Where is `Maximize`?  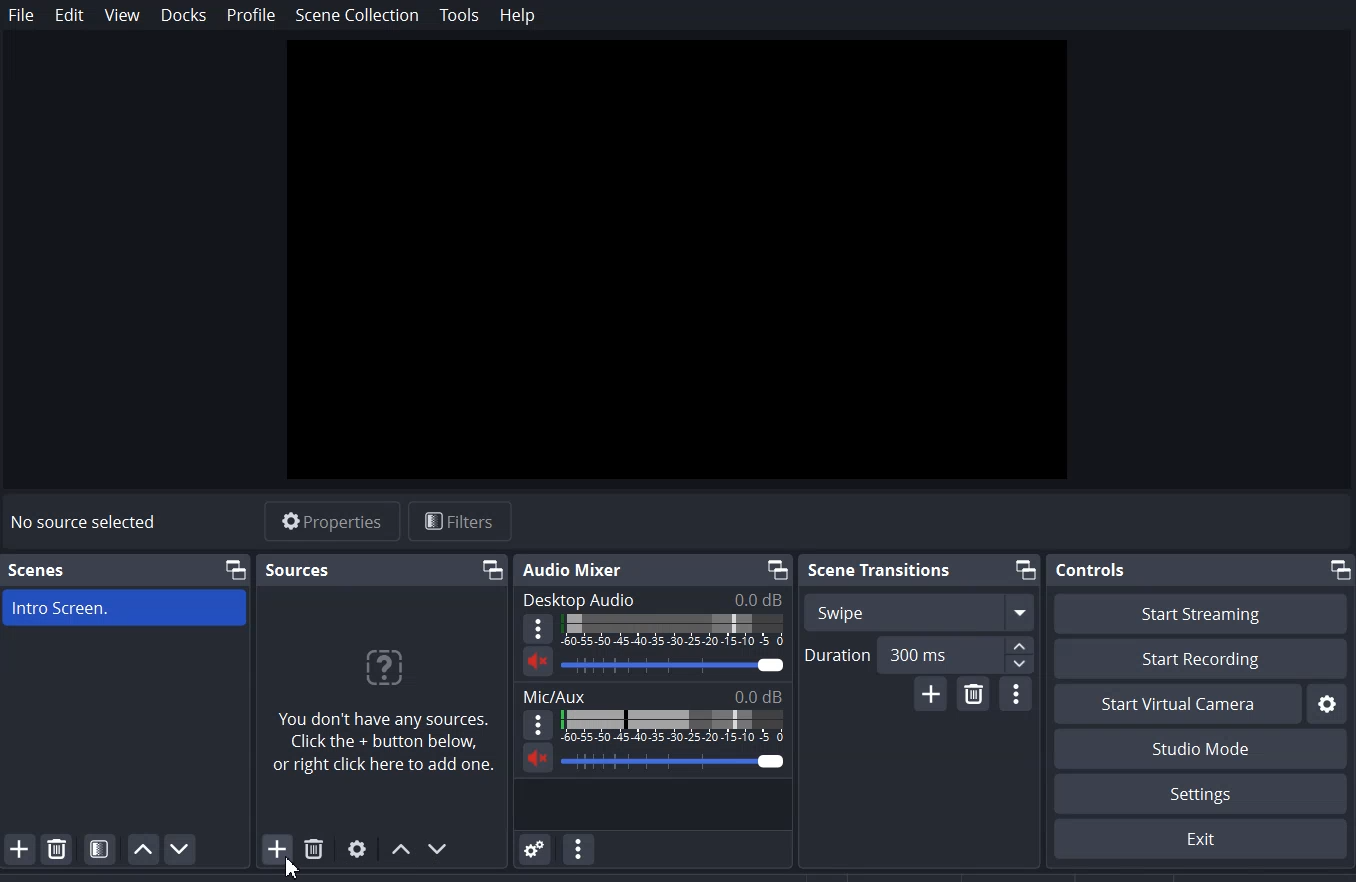
Maximize is located at coordinates (778, 569).